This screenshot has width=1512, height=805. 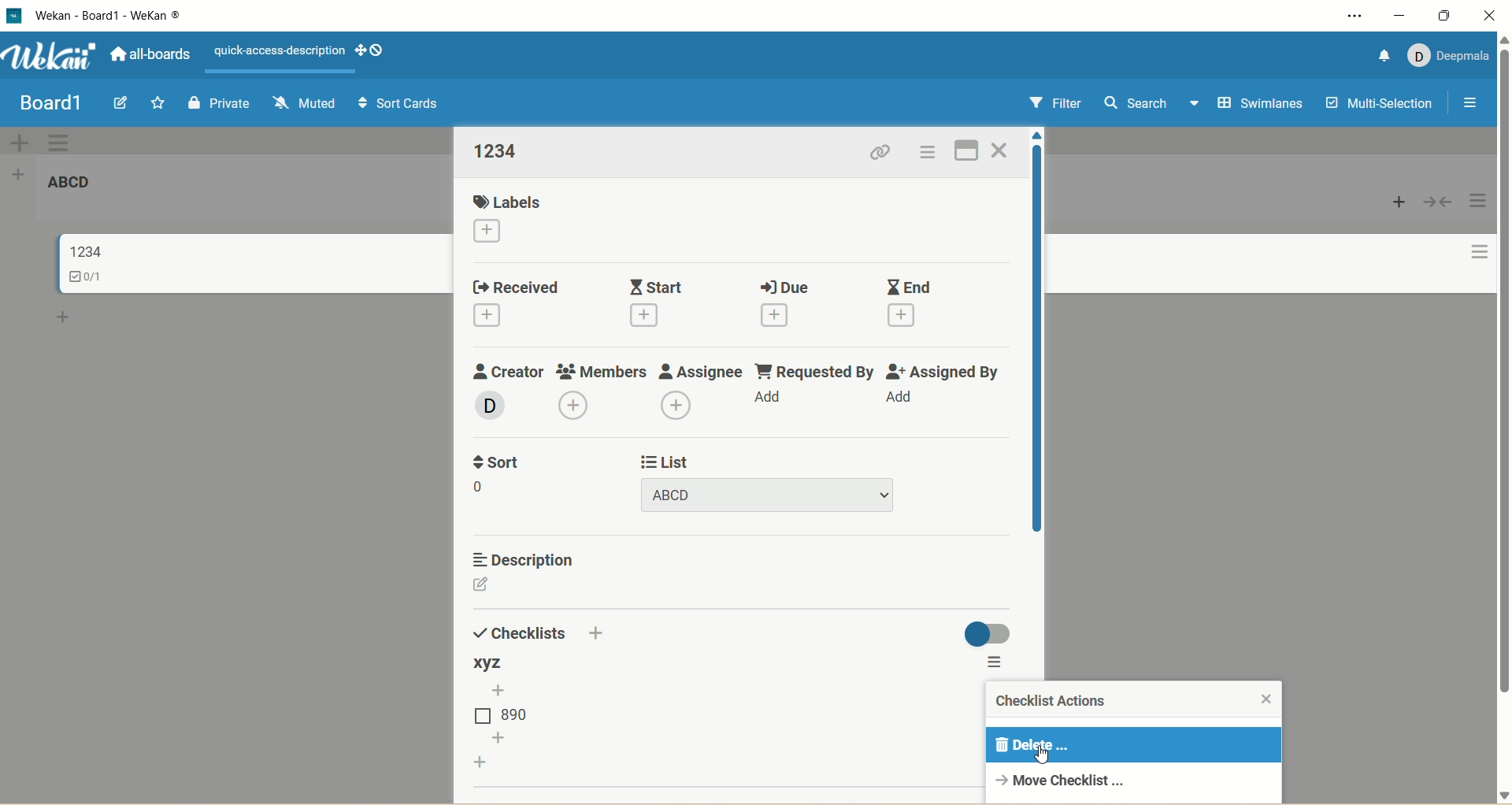 I want to click on add card, so click(x=1390, y=203).